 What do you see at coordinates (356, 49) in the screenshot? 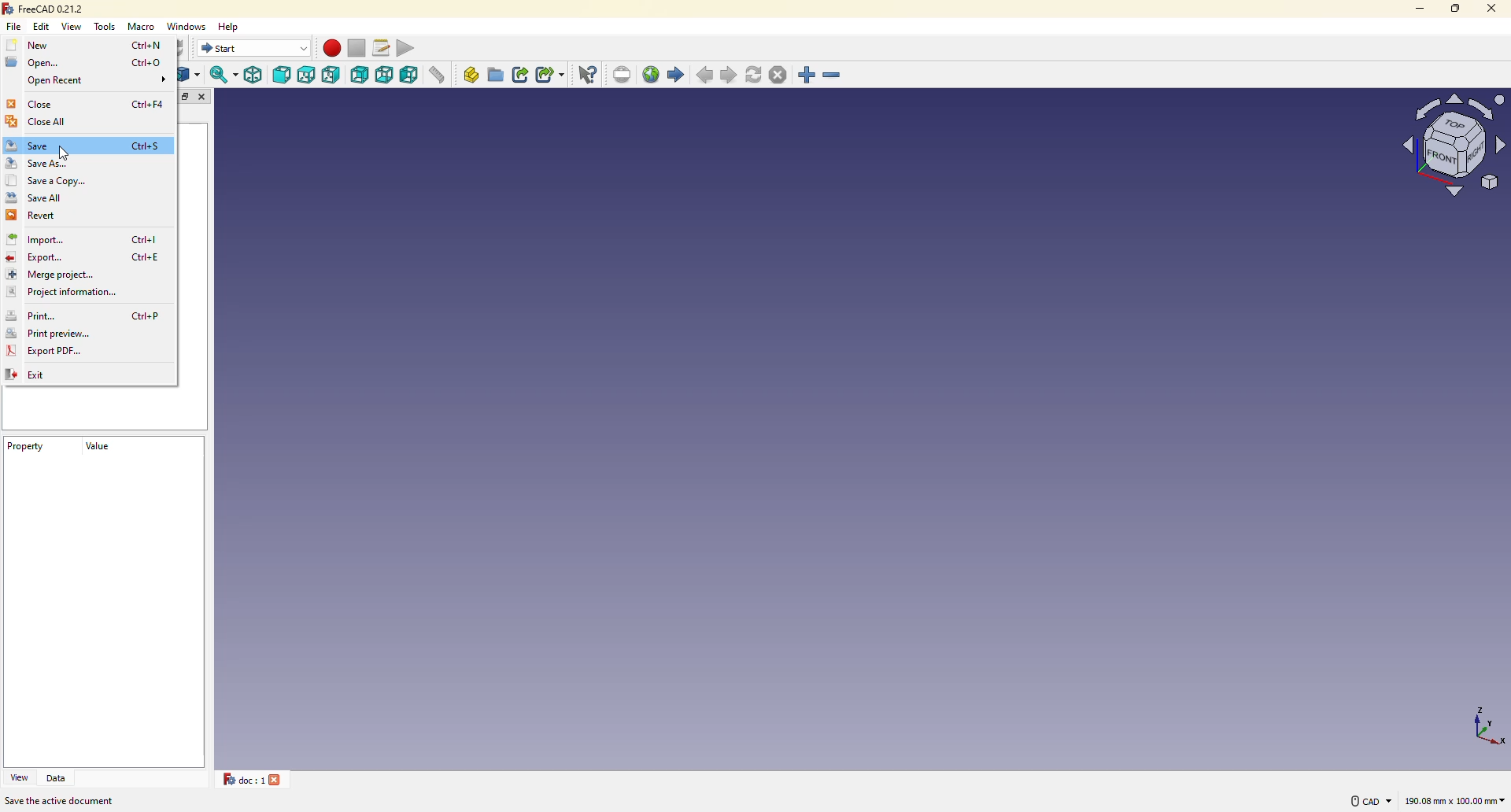
I see `stop macro recording` at bounding box center [356, 49].